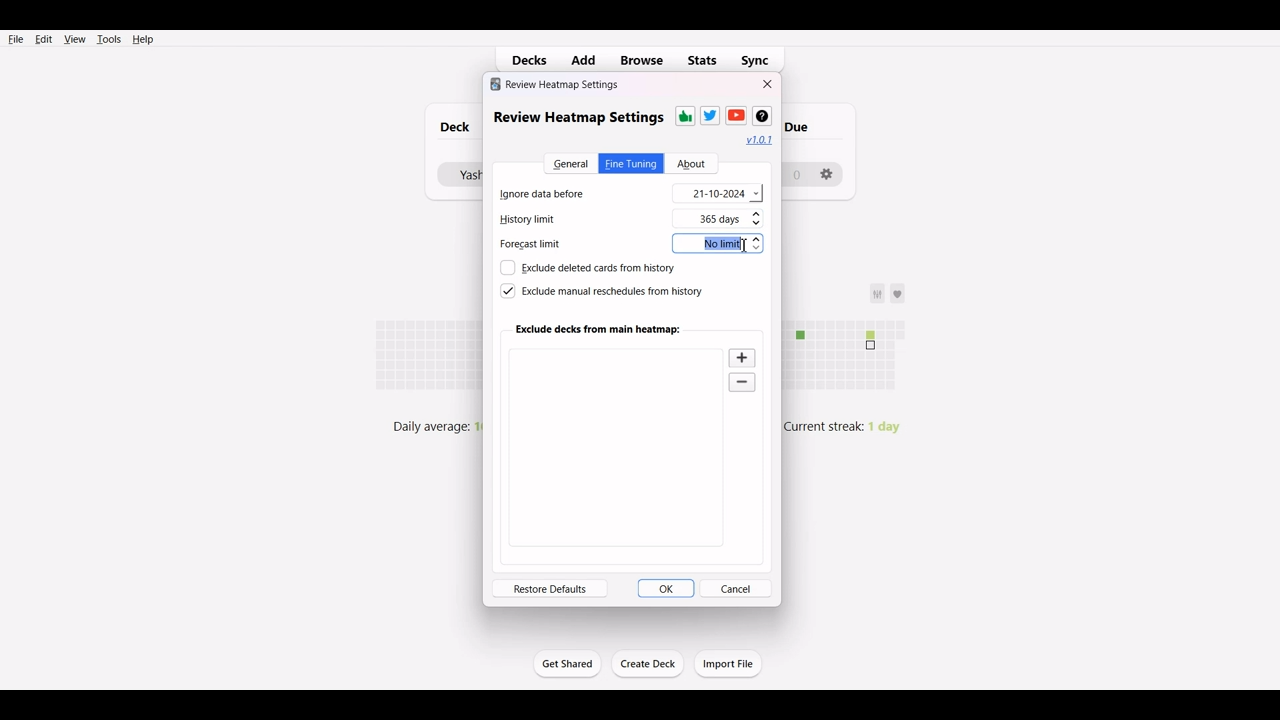 The image size is (1280, 720). Describe the element at coordinates (569, 163) in the screenshot. I see `General` at that location.